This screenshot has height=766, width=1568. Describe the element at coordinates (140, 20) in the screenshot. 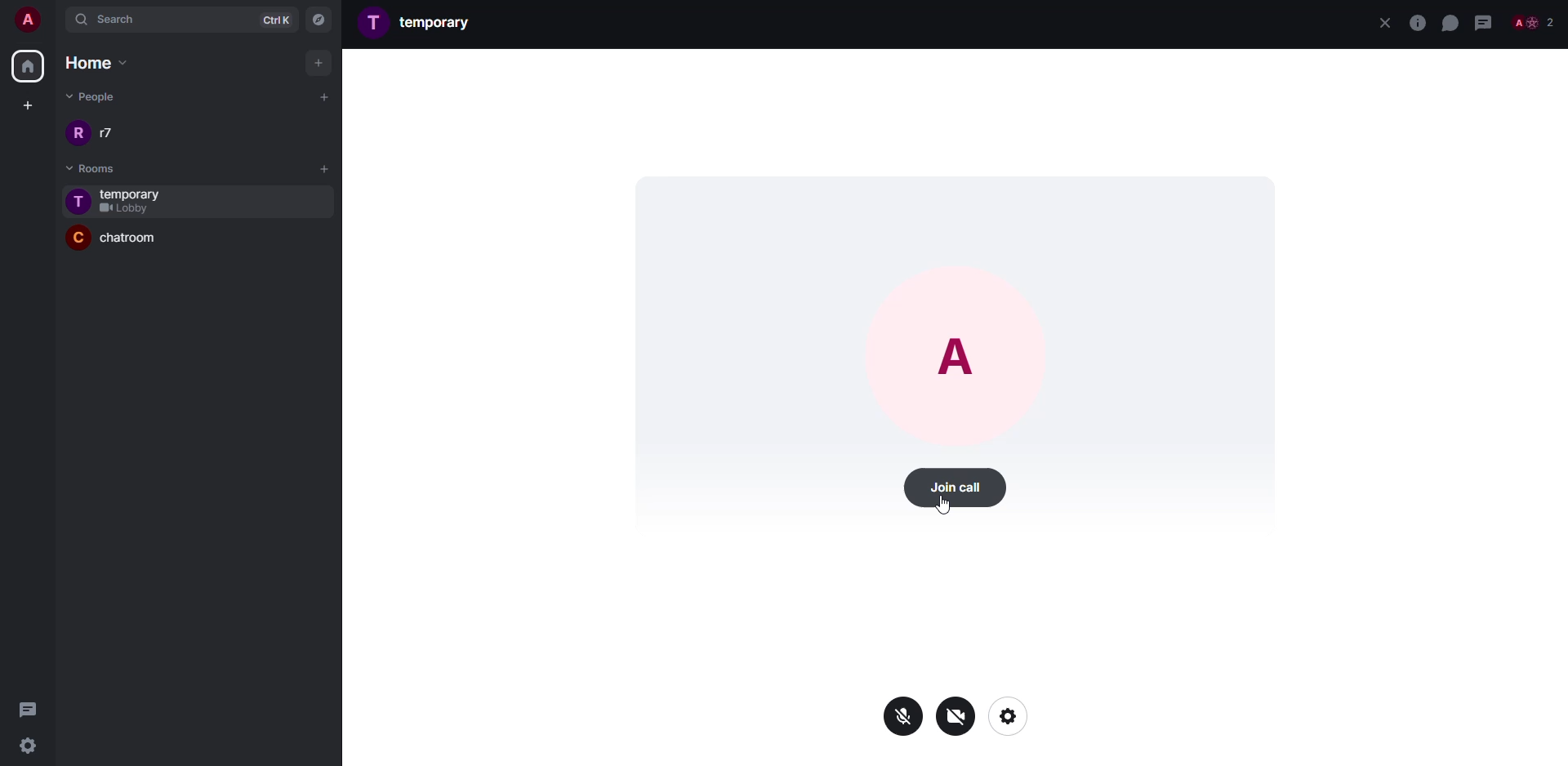

I see `search` at that location.